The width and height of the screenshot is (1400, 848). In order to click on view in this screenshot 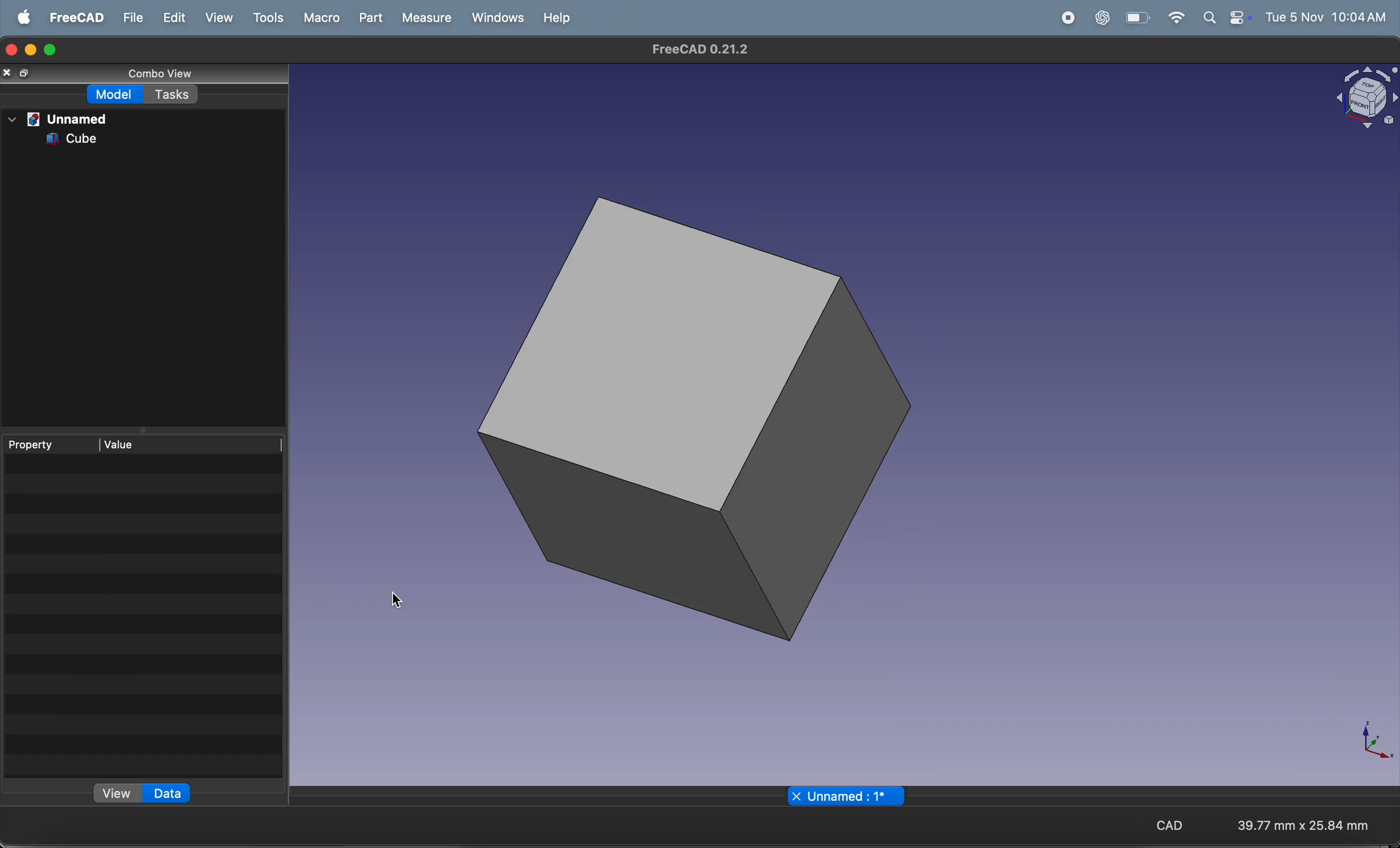, I will do `click(217, 16)`.